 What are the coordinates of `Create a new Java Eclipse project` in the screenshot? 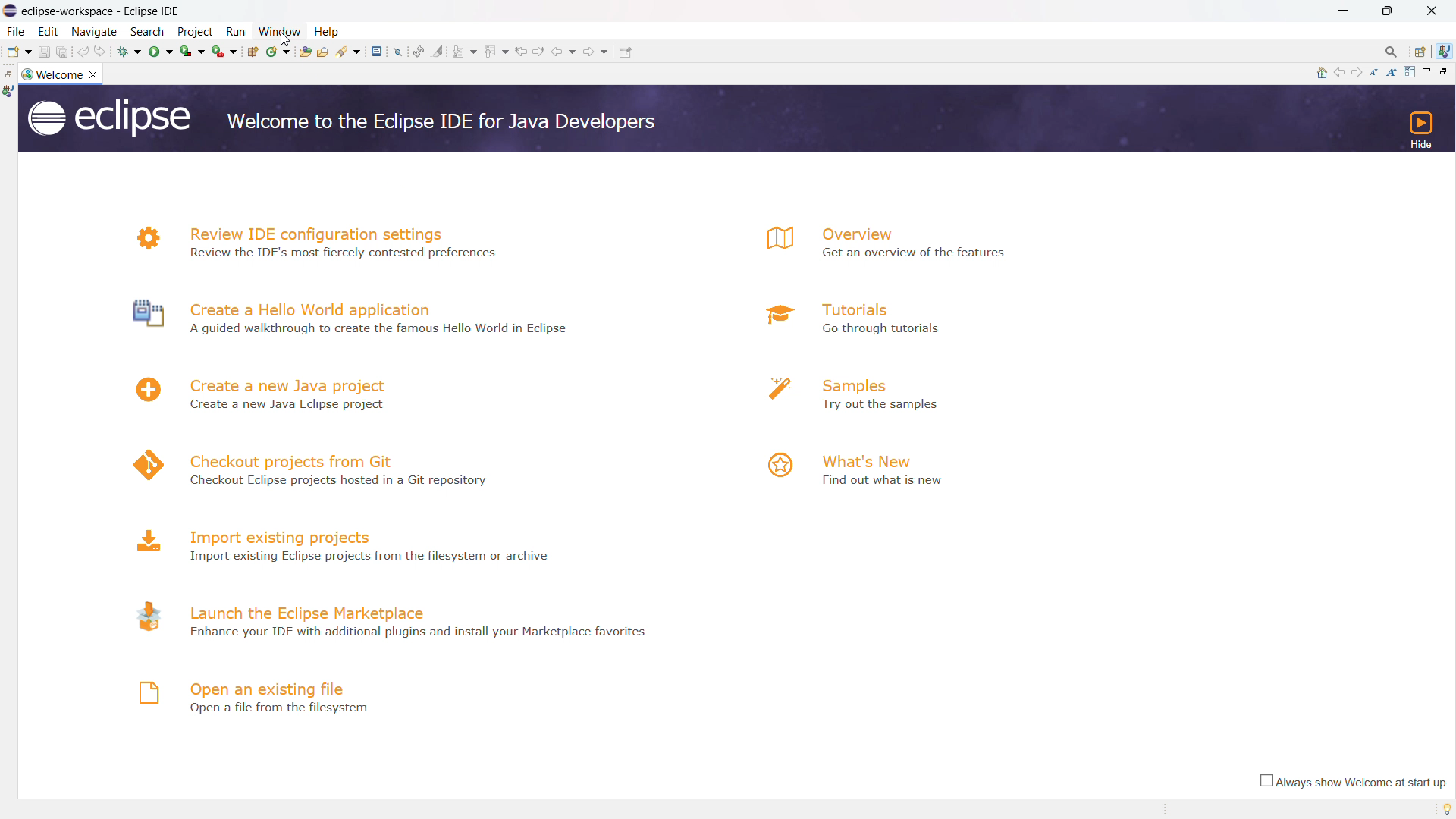 It's located at (287, 405).